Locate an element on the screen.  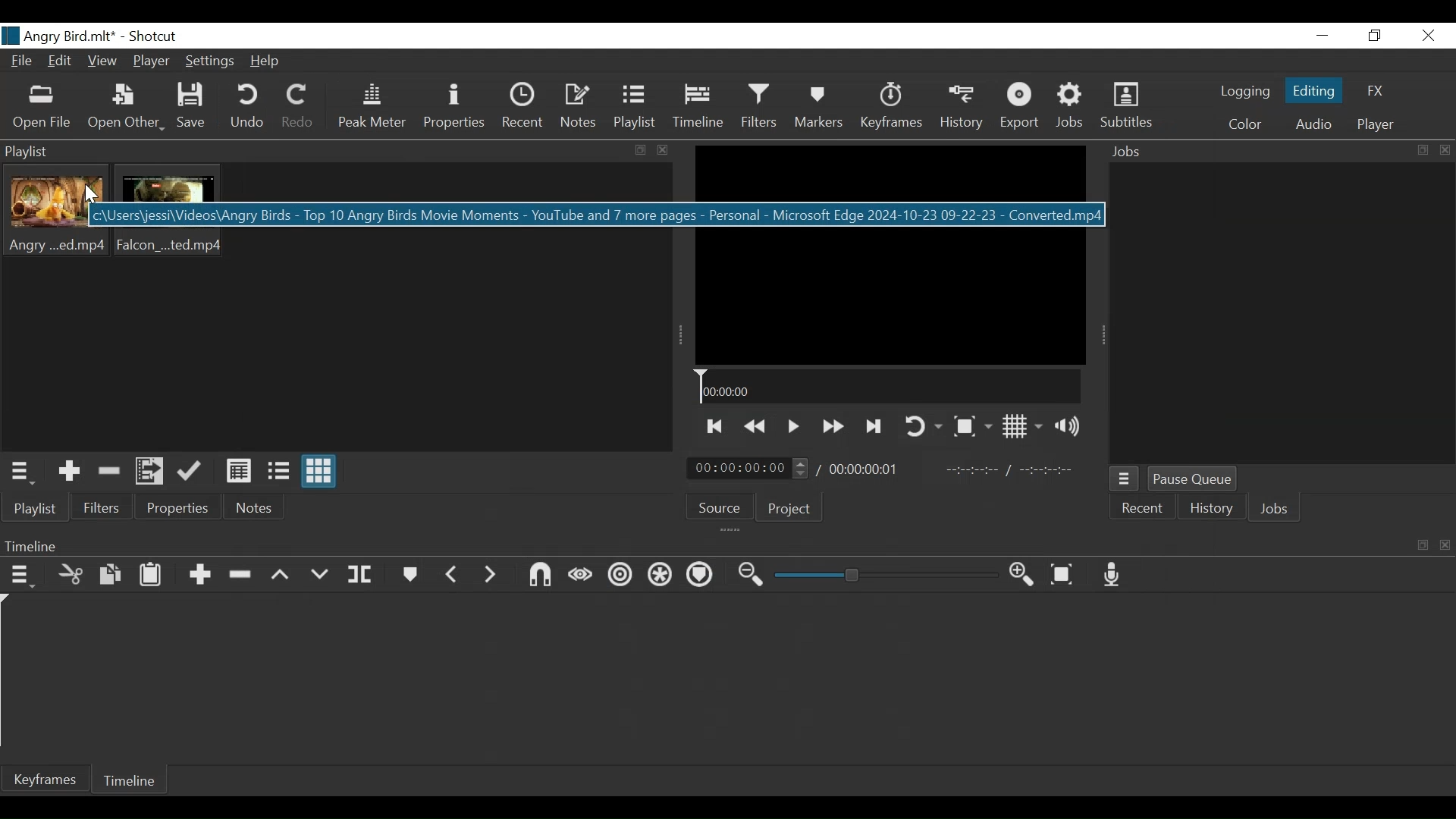
Subtitles is located at coordinates (1129, 107).